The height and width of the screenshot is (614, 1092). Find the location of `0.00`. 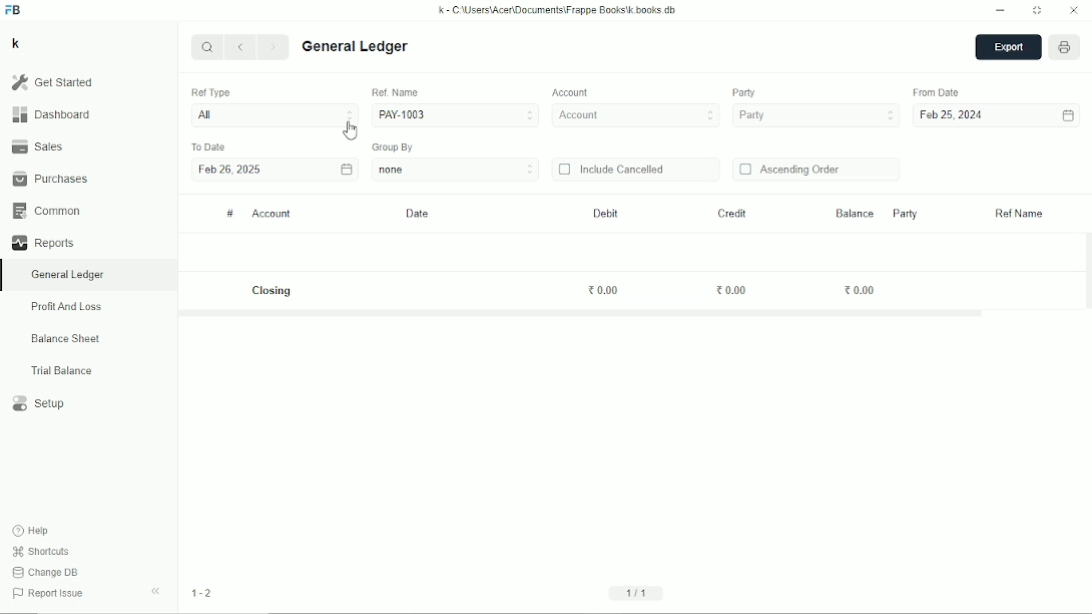

0.00 is located at coordinates (605, 290).